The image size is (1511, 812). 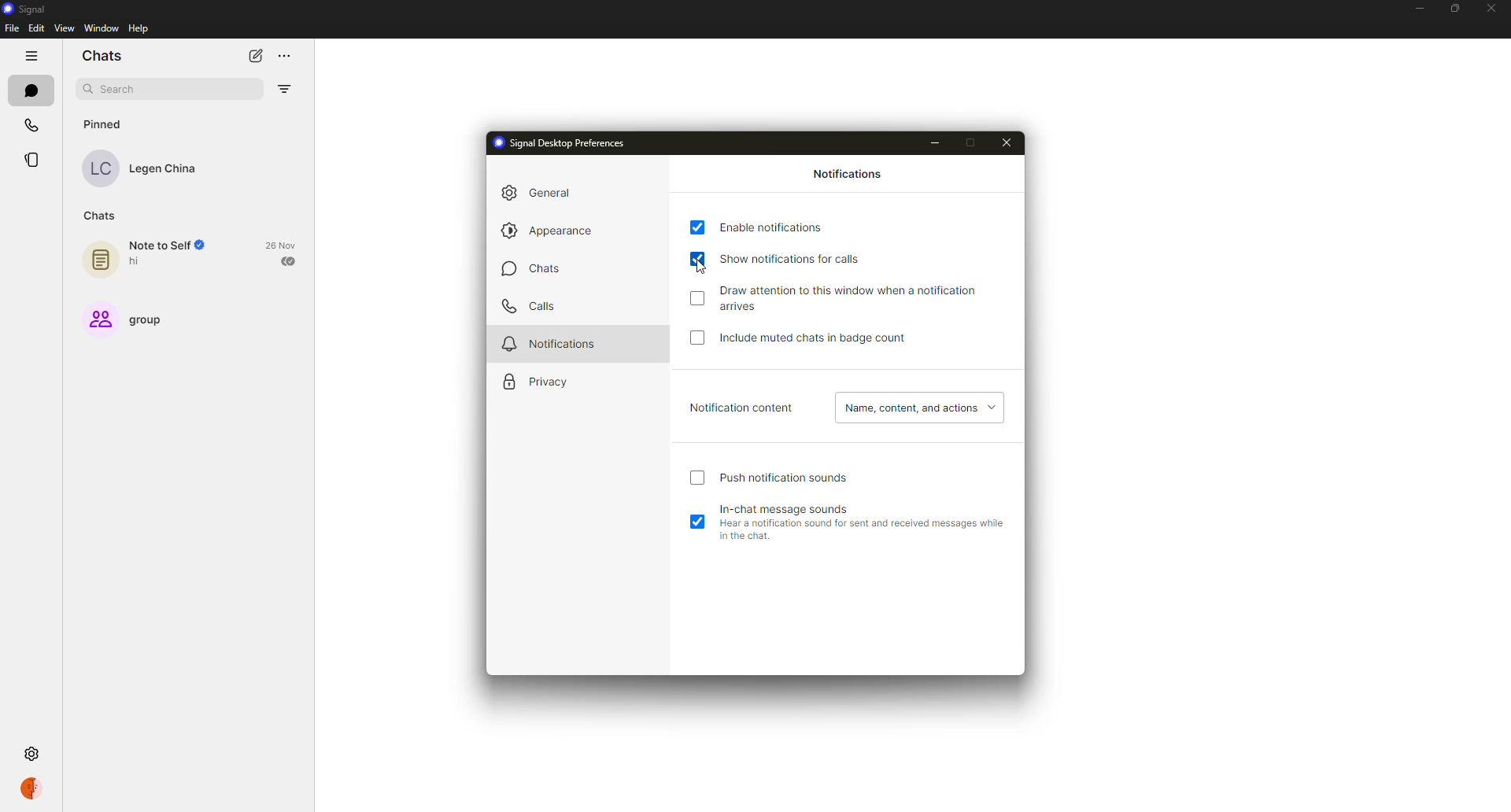 I want to click on search, so click(x=110, y=87).